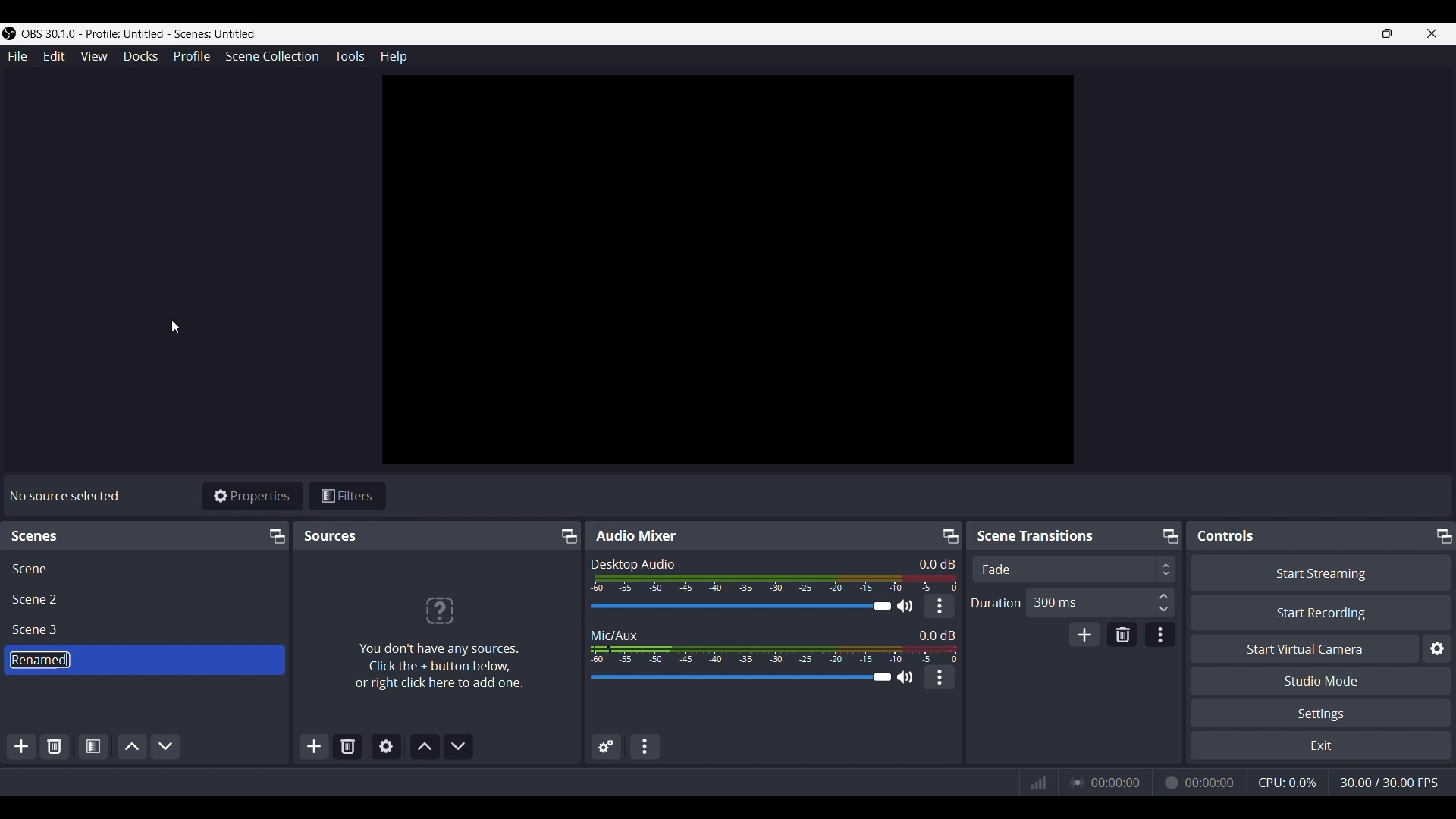 Image resolution: width=1456 pixels, height=819 pixels. Describe the element at coordinates (438, 667) in the screenshot. I see `You don't have any sources. Click the + button below, or right click to add one. ` at that location.